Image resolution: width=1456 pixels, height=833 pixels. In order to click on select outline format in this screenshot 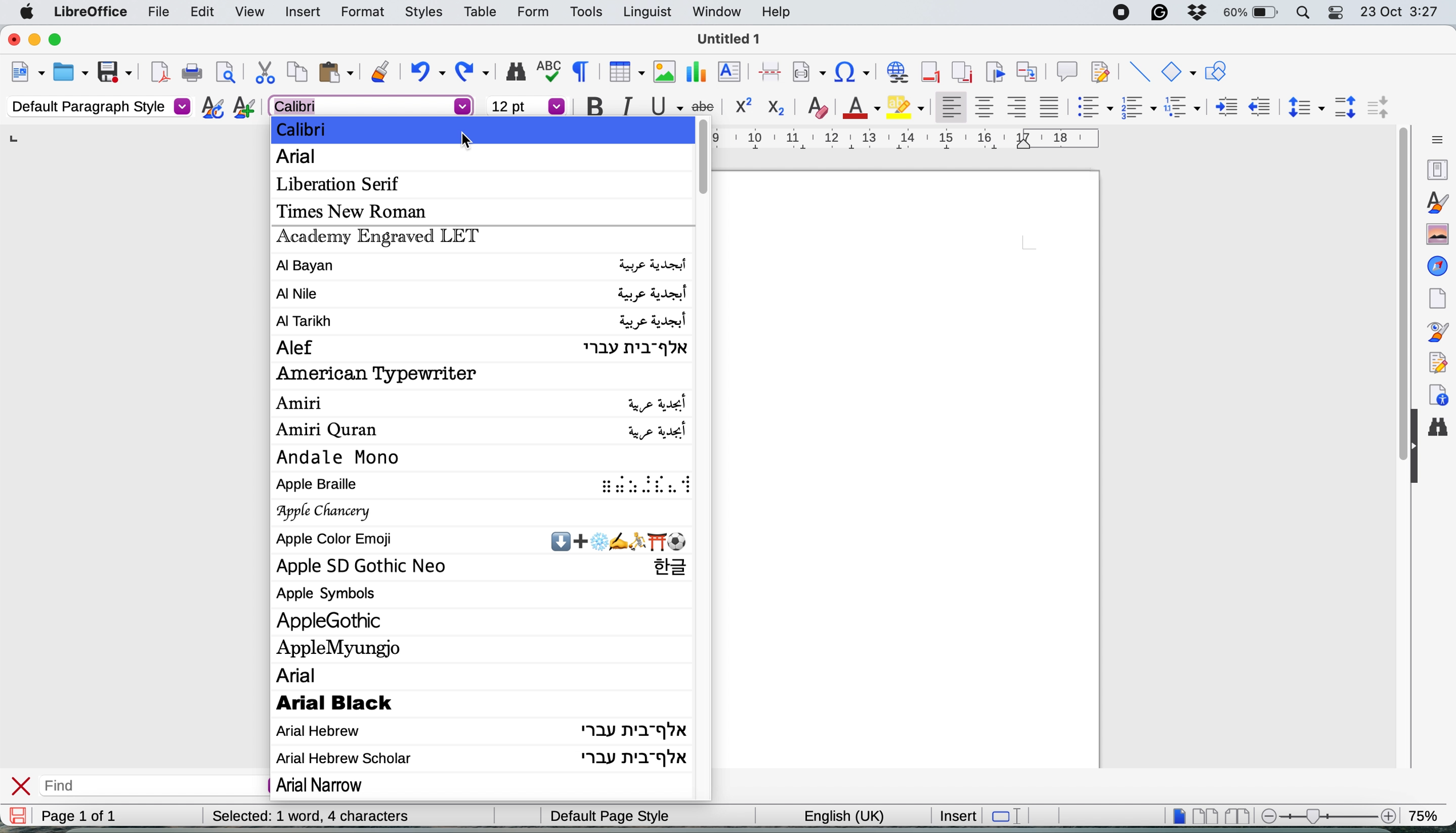, I will do `click(1183, 108)`.